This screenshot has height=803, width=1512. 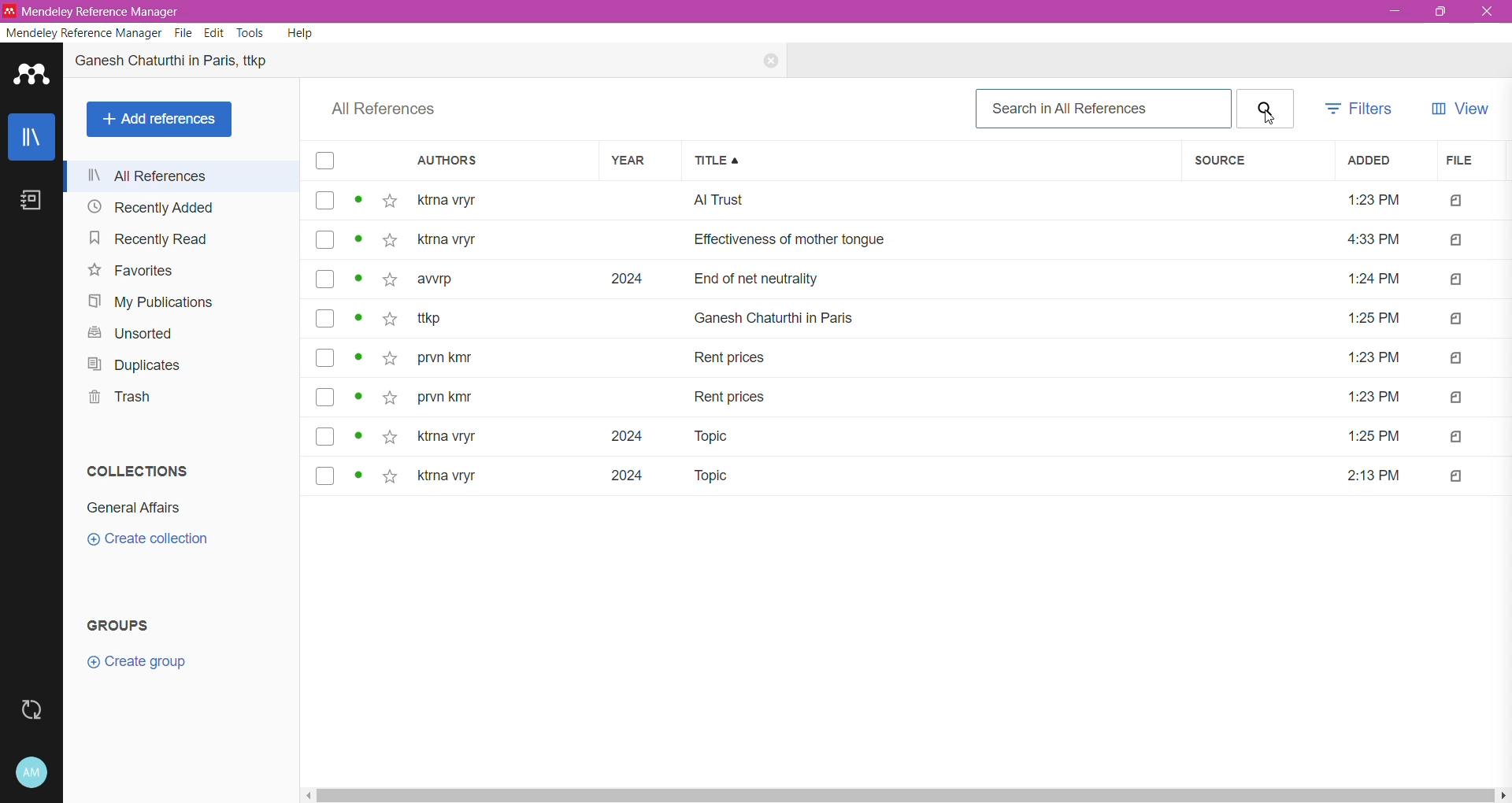 I want to click on select reference , so click(x=324, y=317).